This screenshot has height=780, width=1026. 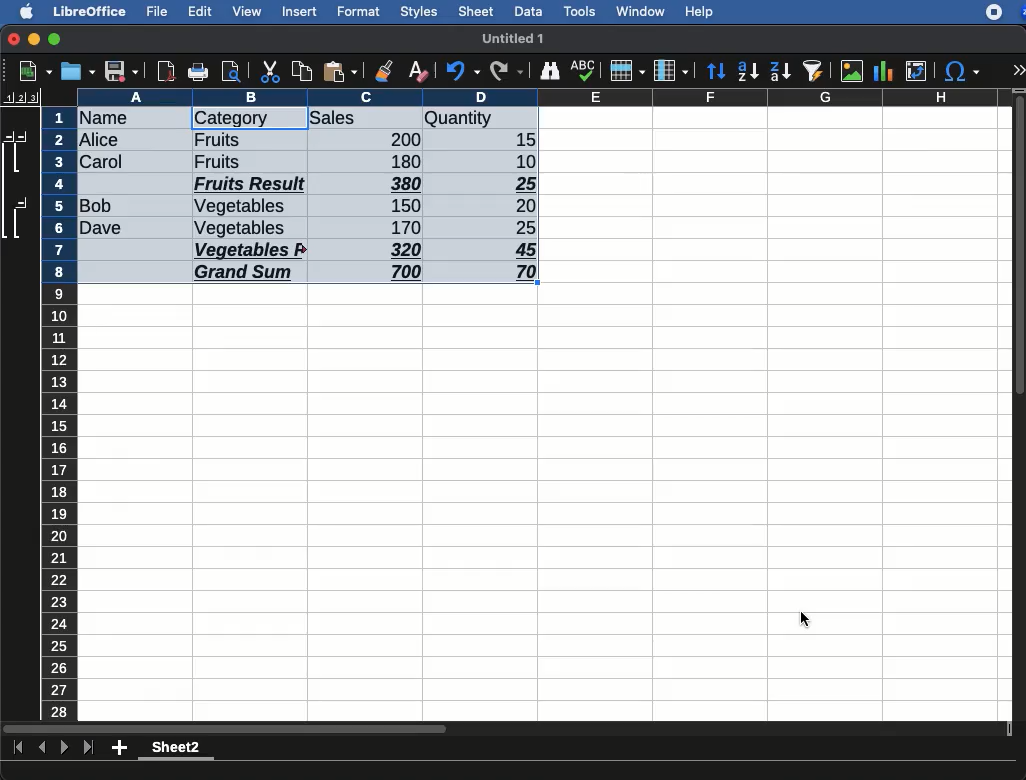 What do you see at coordinates (21, 10) in the screenshot?
I see `apple` at bounding box center [21, 10].